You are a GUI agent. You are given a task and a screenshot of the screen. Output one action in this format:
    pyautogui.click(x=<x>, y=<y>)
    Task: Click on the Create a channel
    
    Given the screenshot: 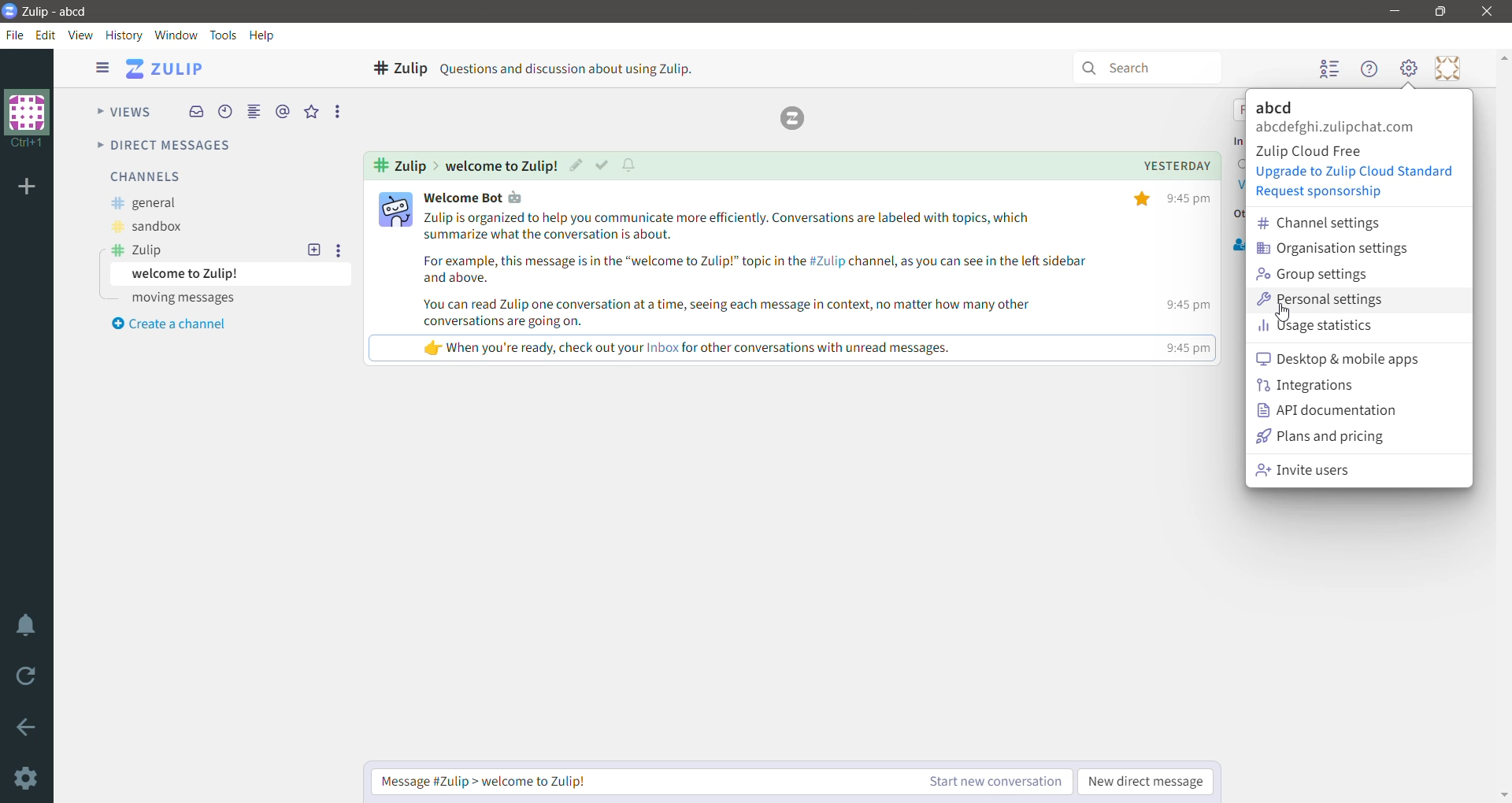 What is the action you would take?
    pyautogui.click(x=167, y=326)
    